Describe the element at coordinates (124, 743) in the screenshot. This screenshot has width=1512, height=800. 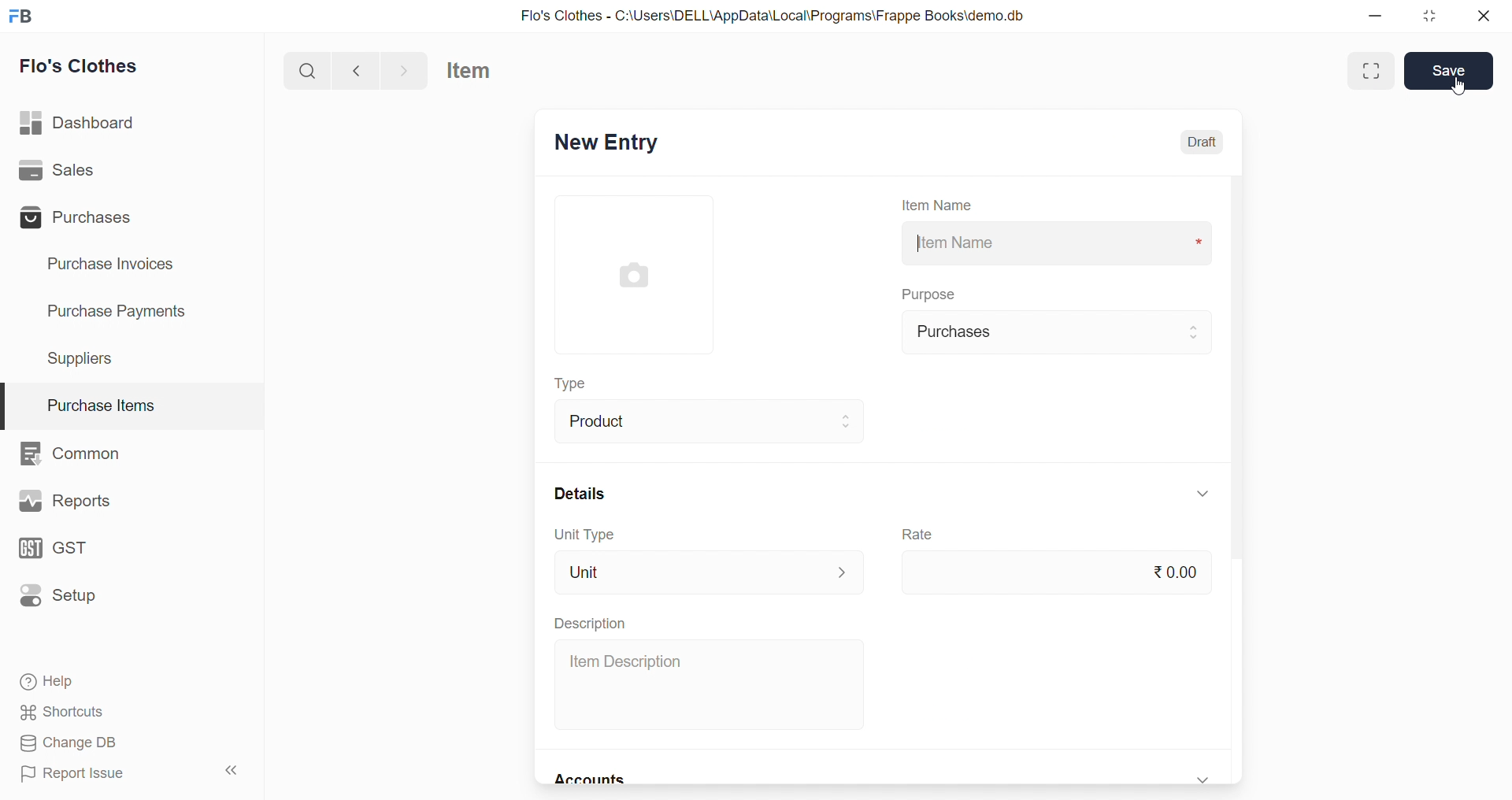
I see `Change DB` at that location.